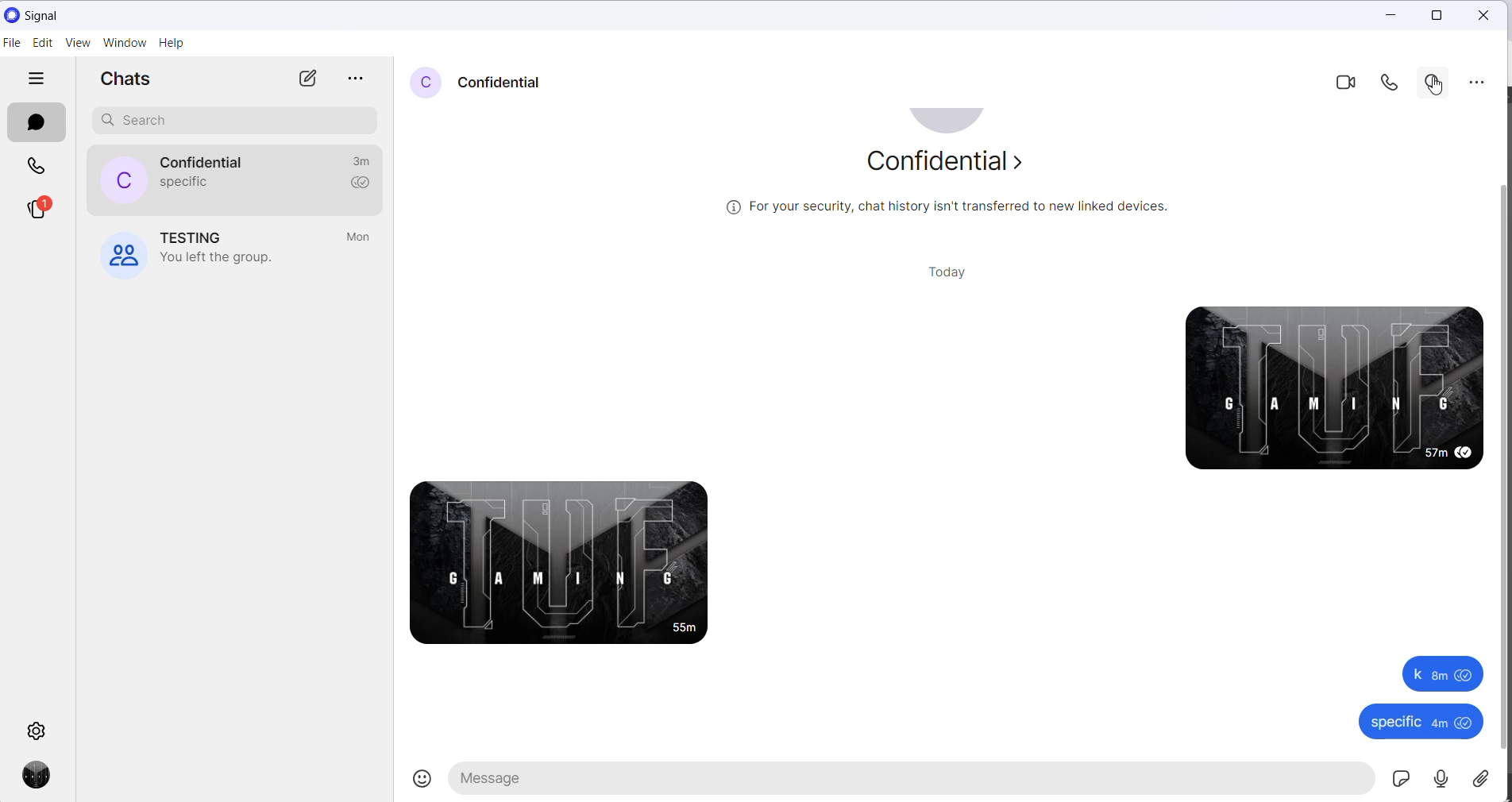  Describe the element at coordinates (37, 728) in the screenshot. I see `settings` at that location.